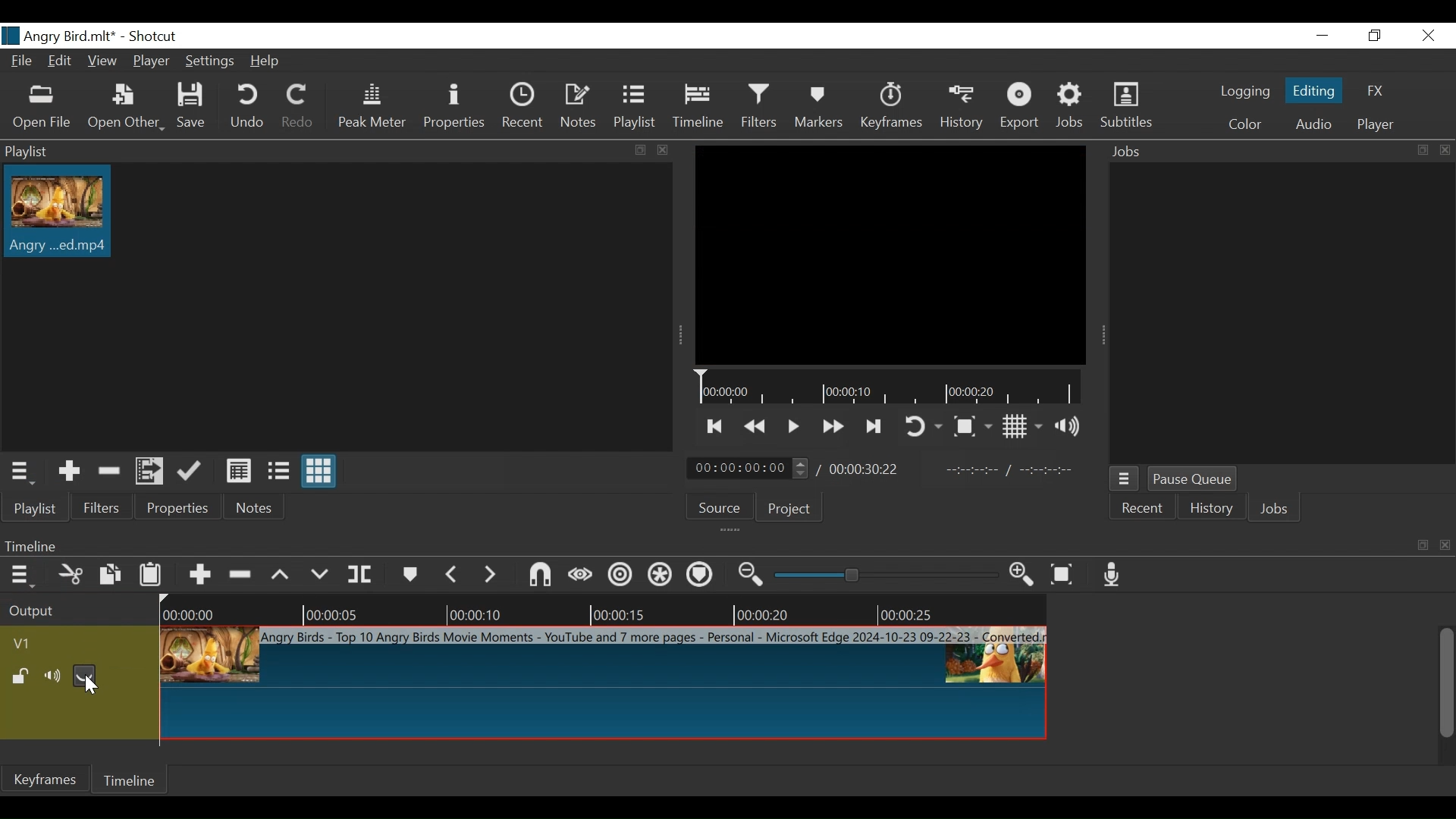 The width and height of the screenshot is (1456, 819). I want to click on Toggle play or pause (space), so click(792, 426).